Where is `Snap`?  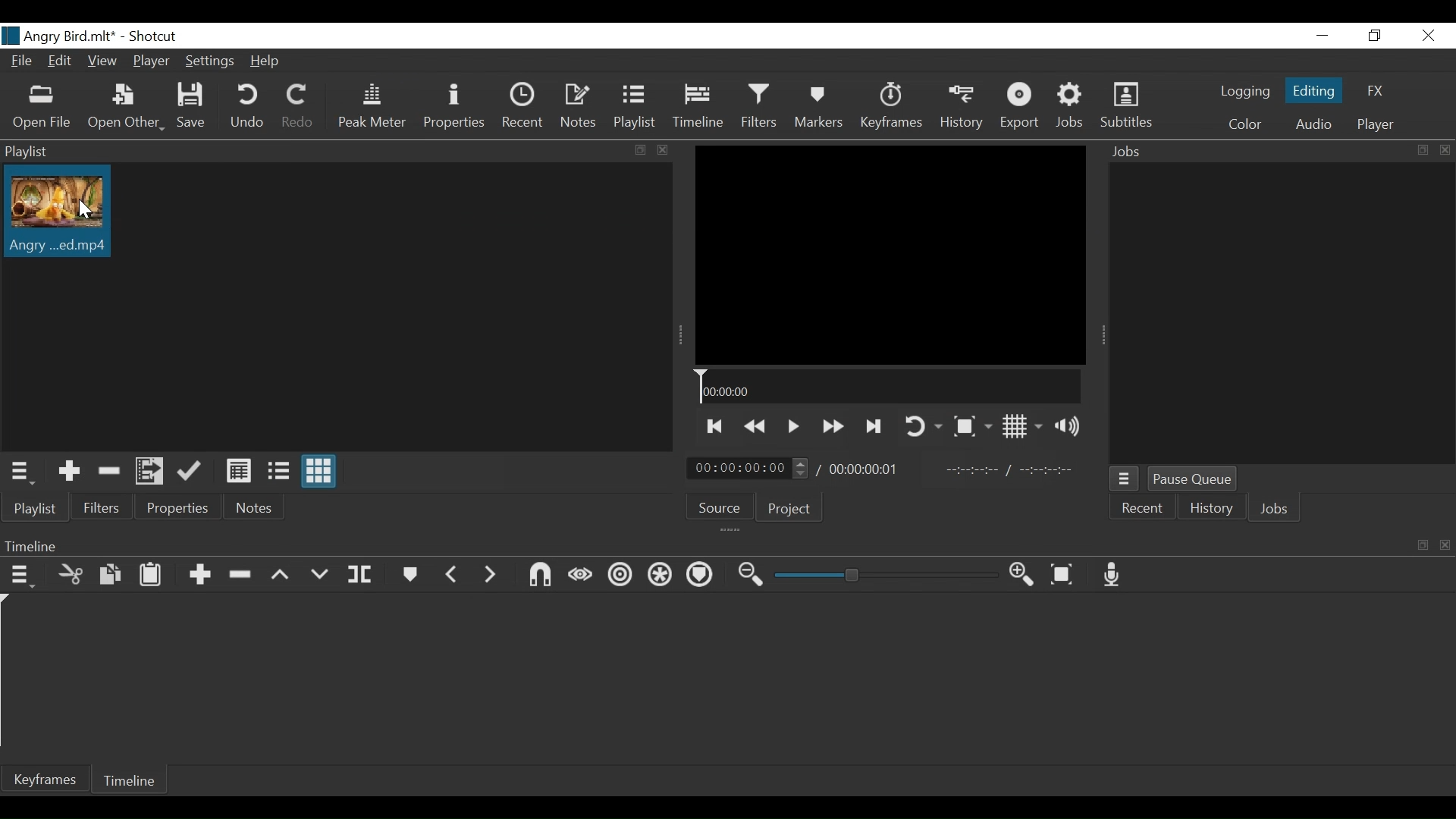 Snap is located at coordinates (539, 575).